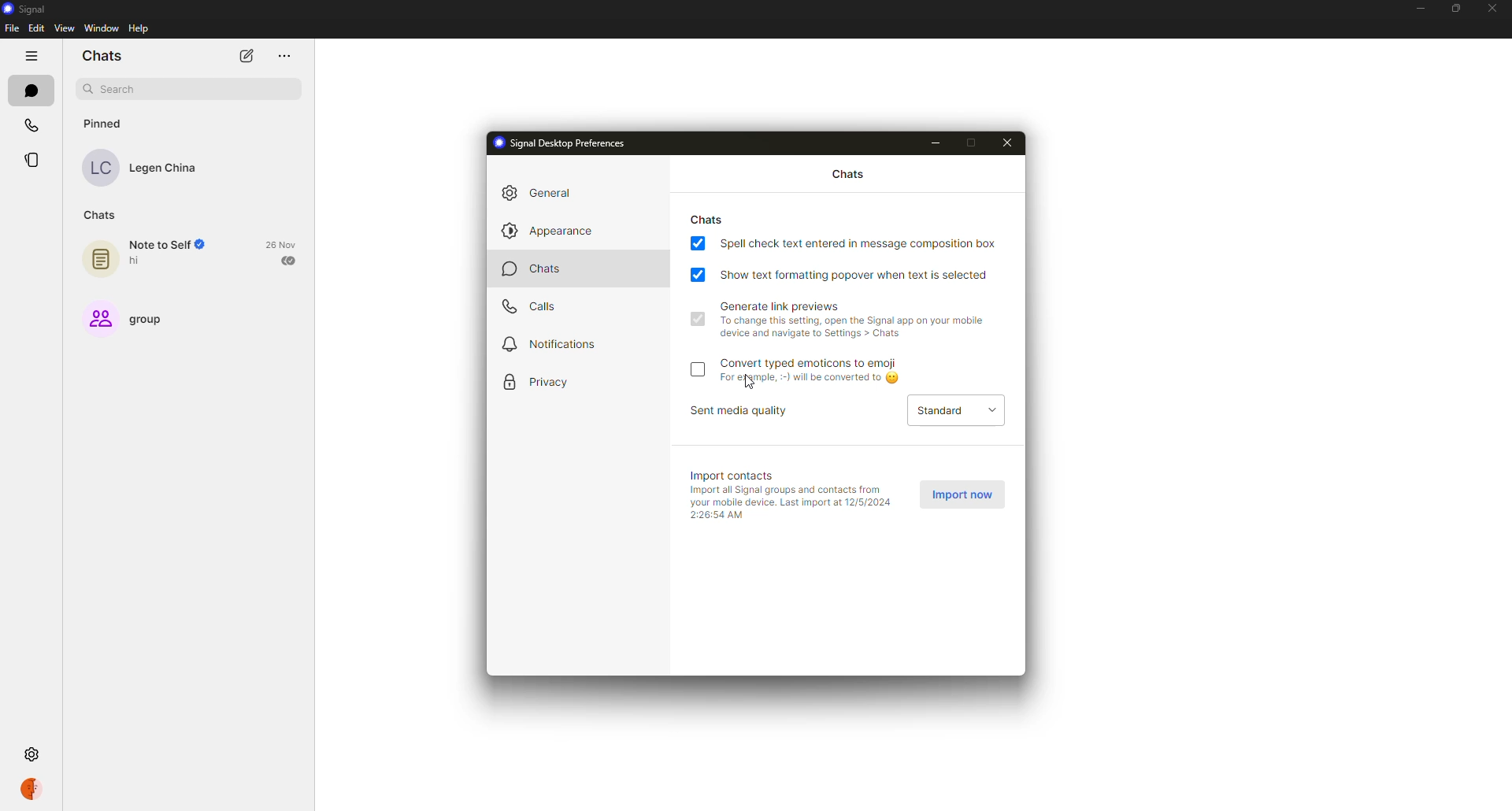  What do you see at coordinates (857, 320) in the screenshot?
I see `generate link preview` at bounding box center [857, 320].